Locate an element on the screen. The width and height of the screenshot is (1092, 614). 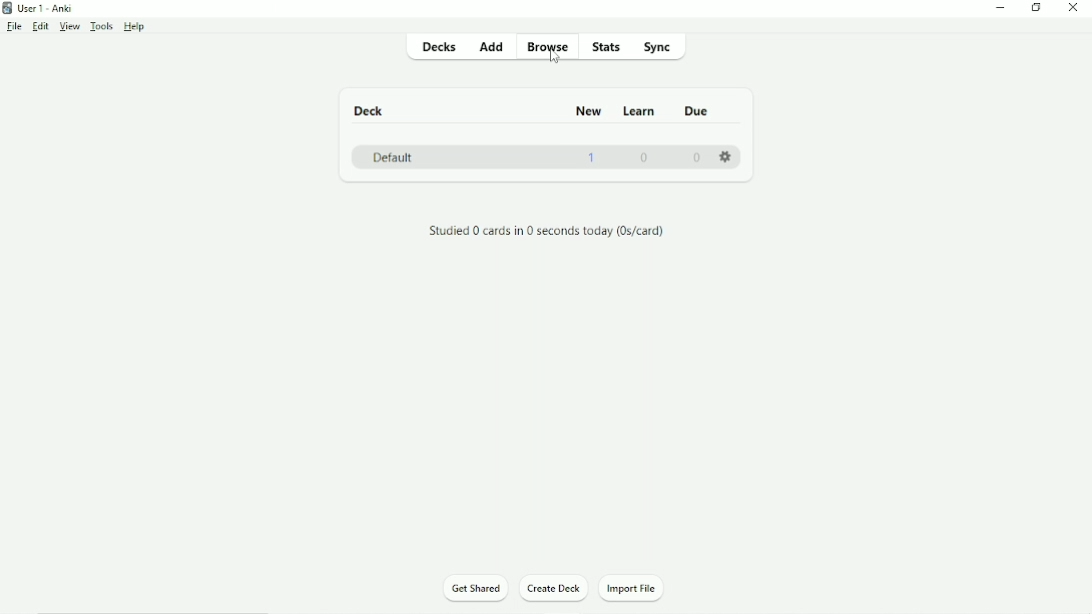
Minimize is located at coordinates (1000, 8).